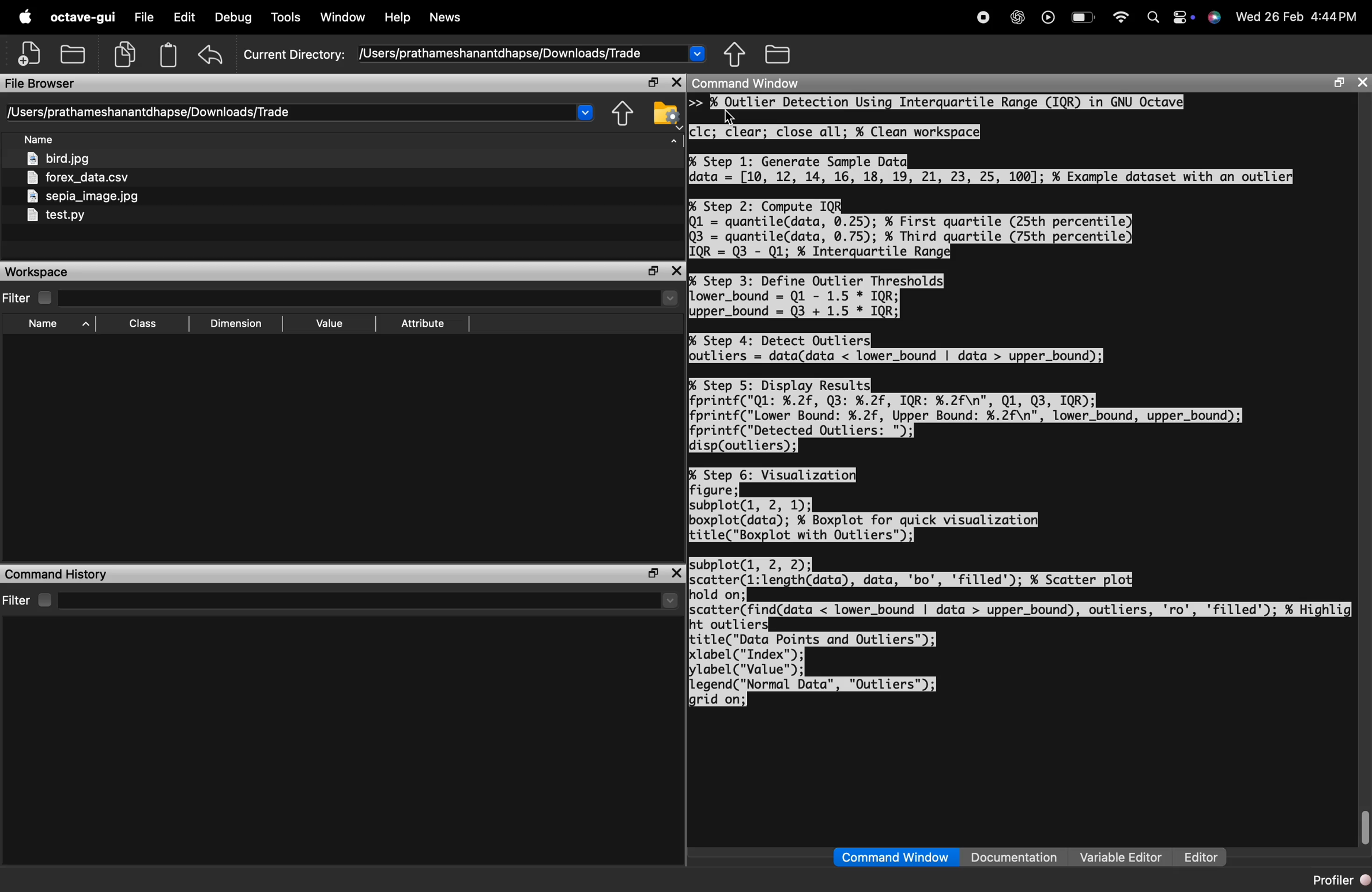 The width and height of the screenshot is (1372, 892). I want to click on folder, so click(779, 53).